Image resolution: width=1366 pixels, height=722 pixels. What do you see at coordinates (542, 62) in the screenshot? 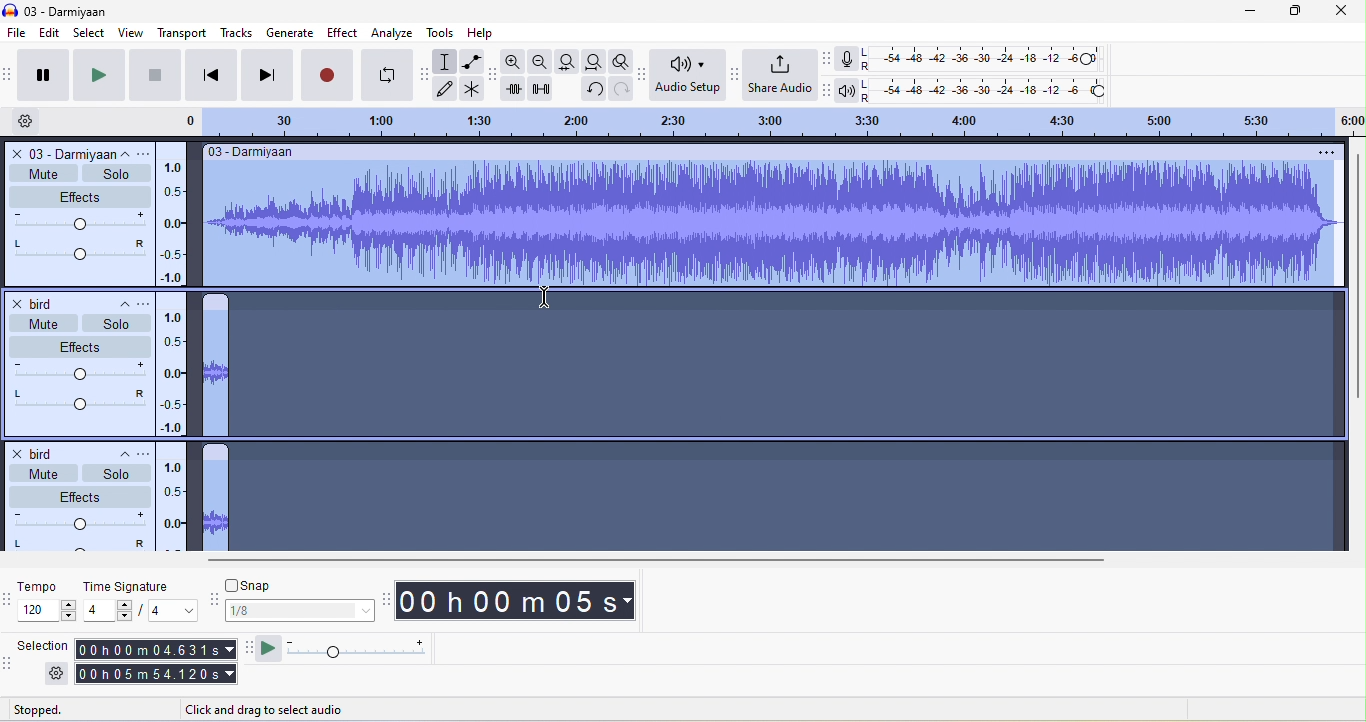
I see `zoom out` at bounding box center [542, 62].